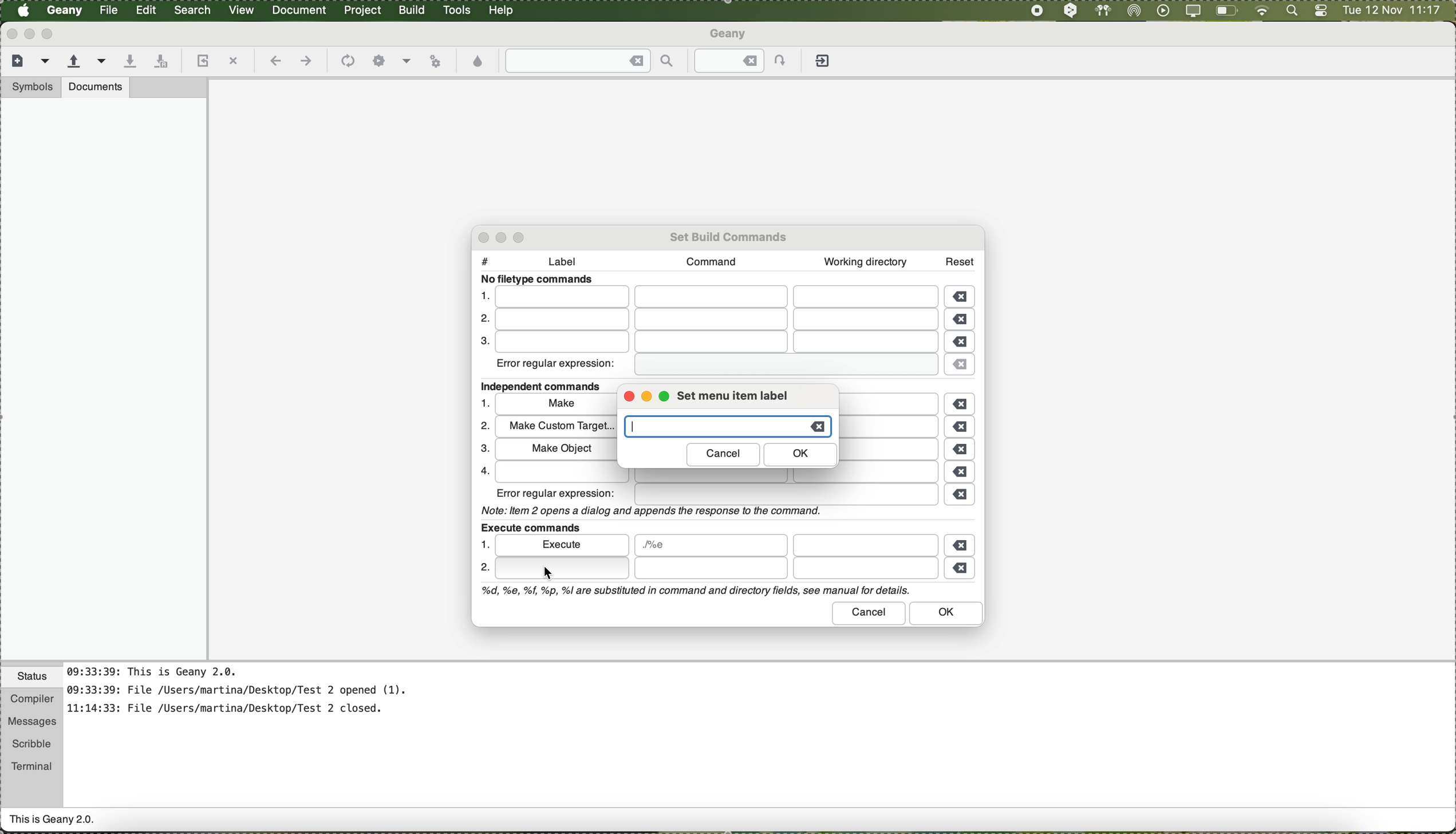 Image resolution: width=1456 pixels, height=834 pixels. What do you see at coordinates (486, 403) in the screenshot?
I see `1` at bounding box center [486, 403].